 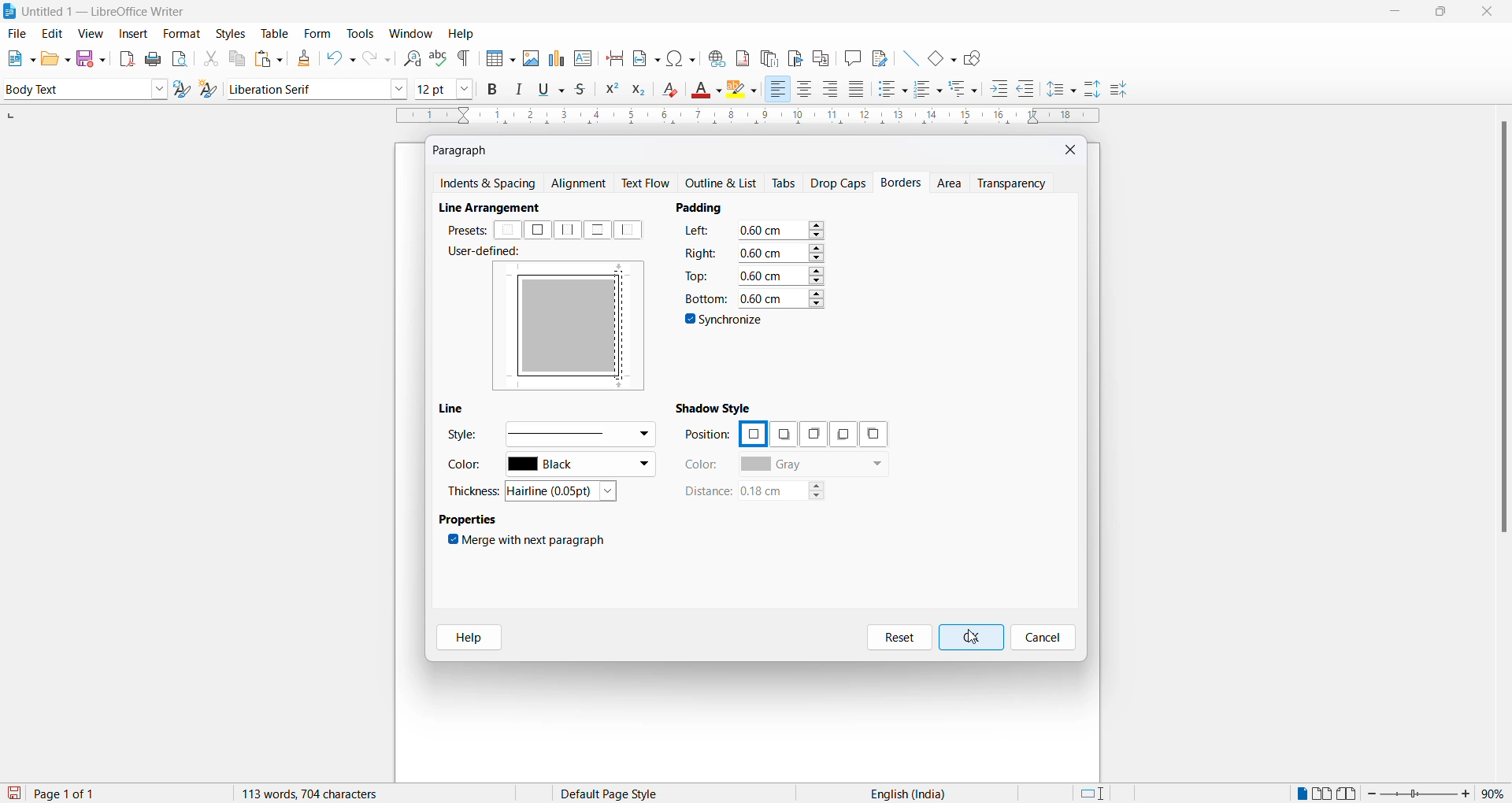 I want to click on total page and current page, so click(x=79, y=794).